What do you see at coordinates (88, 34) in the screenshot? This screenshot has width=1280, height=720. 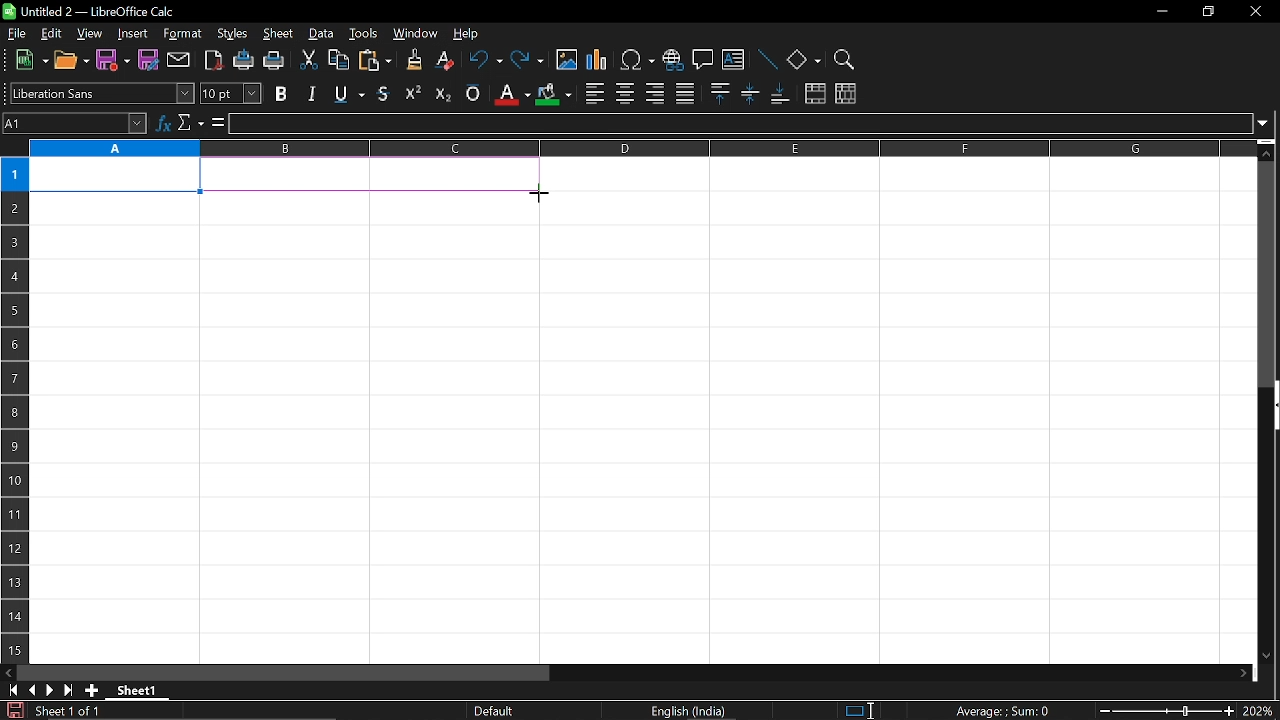 I see `view` at bounding box center [88, 34].